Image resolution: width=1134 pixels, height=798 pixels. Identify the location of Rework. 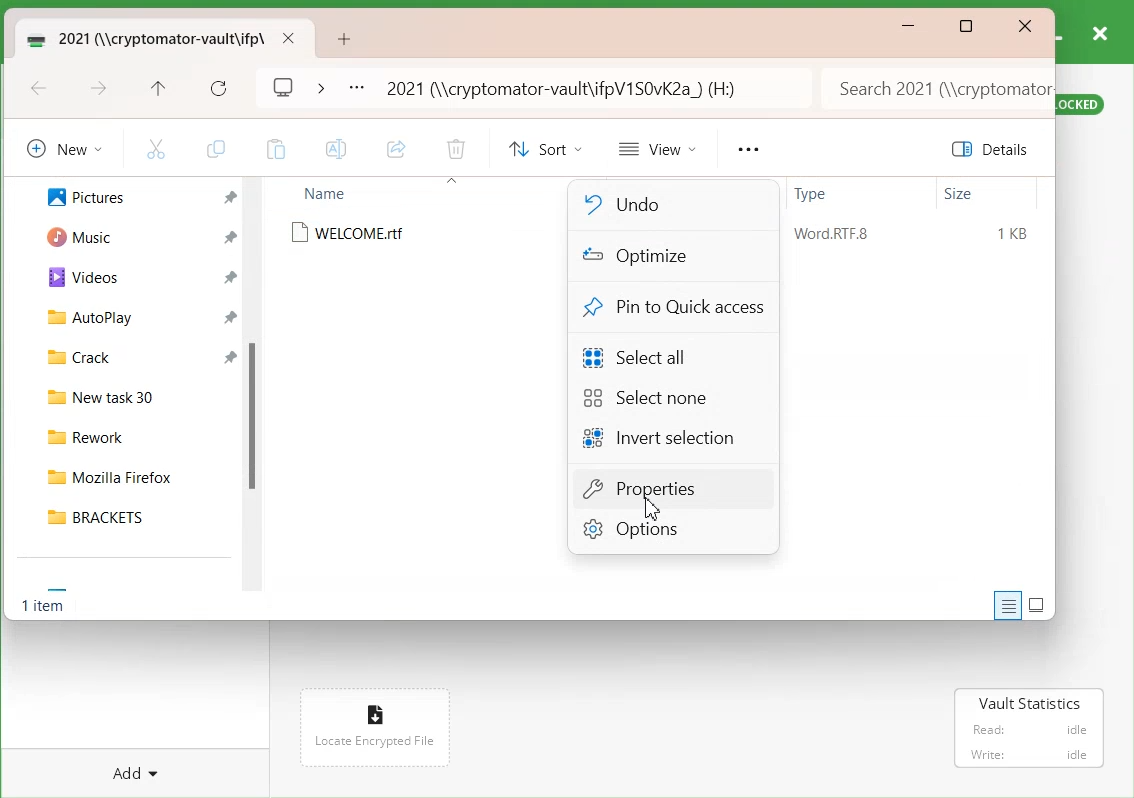
(132, 434).